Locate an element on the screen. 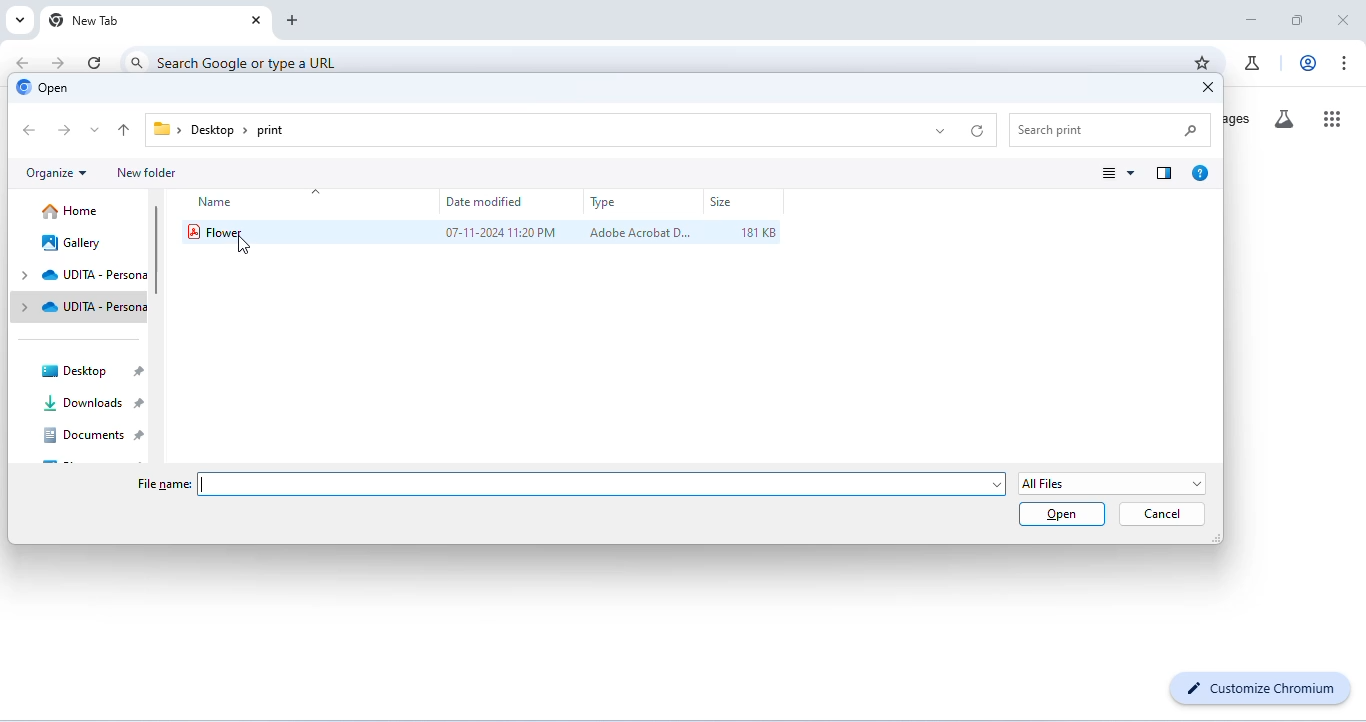 The height and width of the screenshot is (722, 1366). add new tab is located at coordinates (295, 21).